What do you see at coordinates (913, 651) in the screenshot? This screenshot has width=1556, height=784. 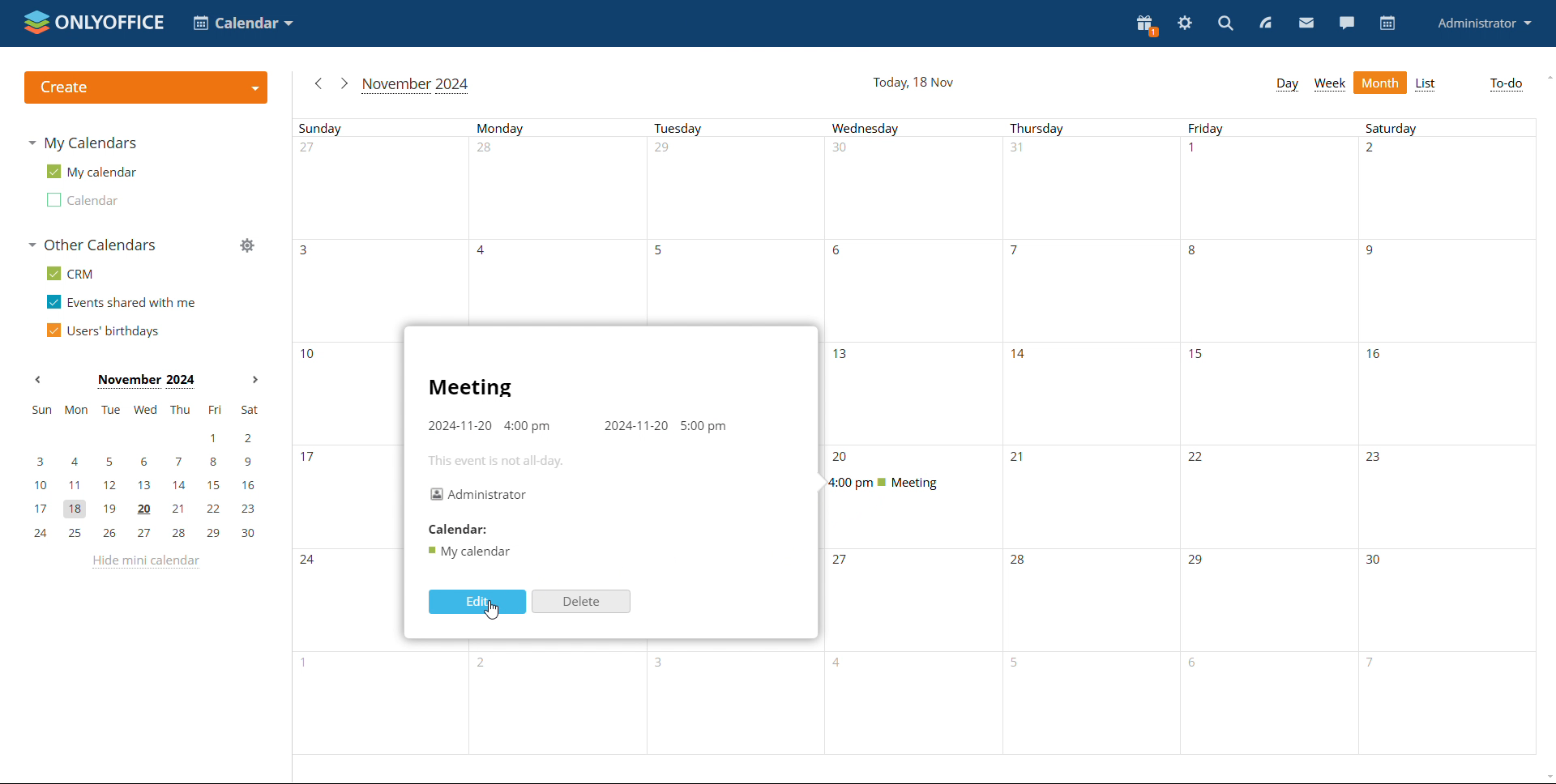 I see `wednesday` at bounding box center [913, 651].